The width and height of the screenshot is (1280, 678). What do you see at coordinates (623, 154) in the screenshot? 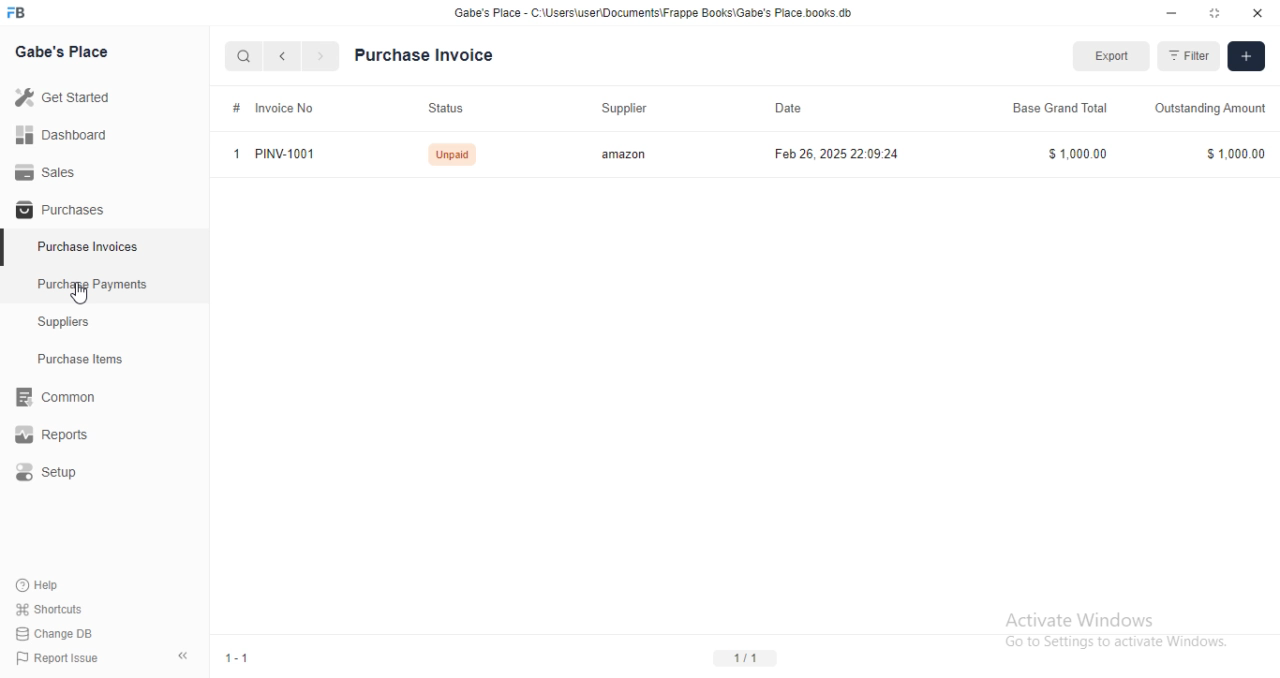
I see `amazon` at bounding box center [623, 154].